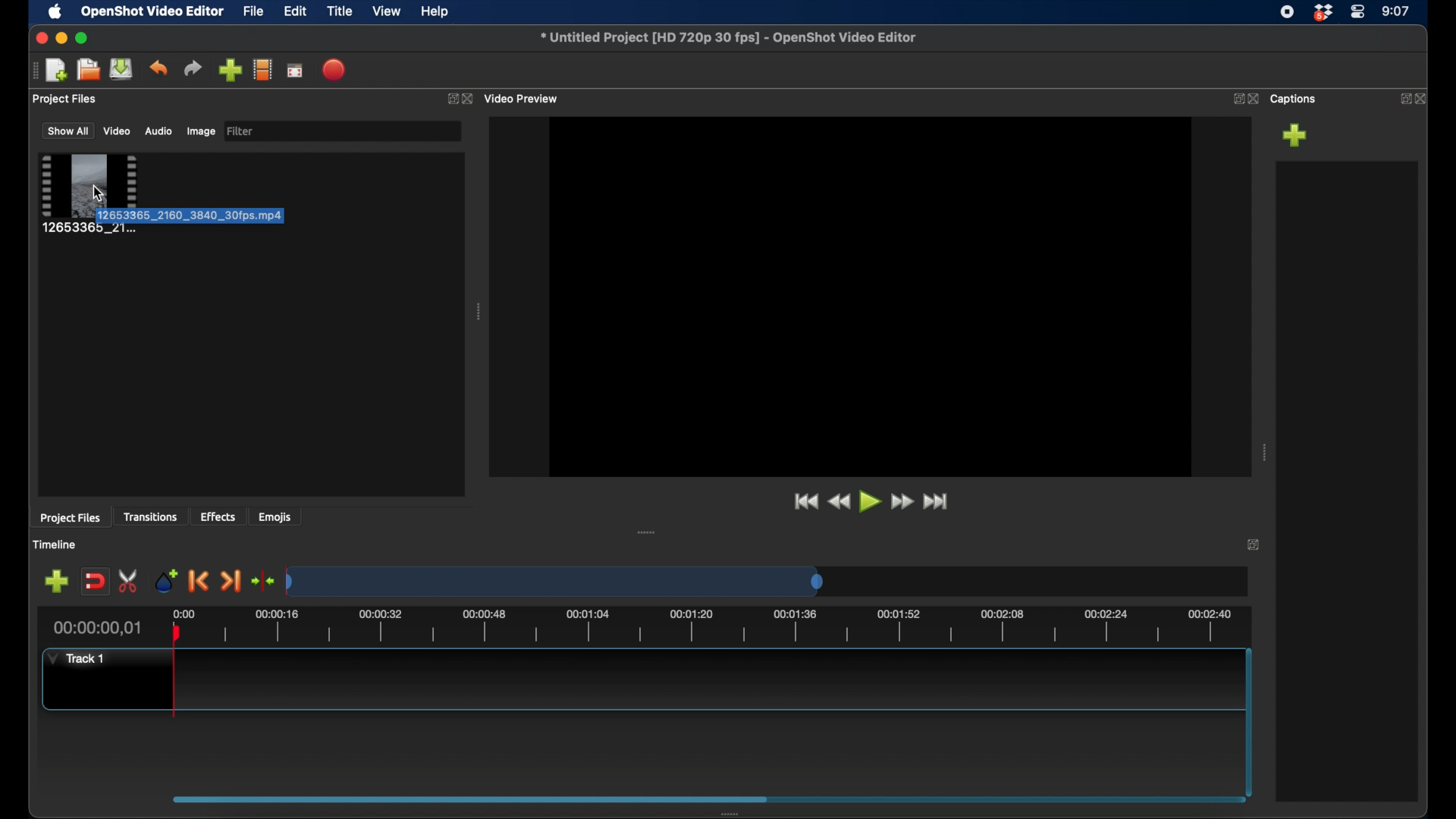  Describe the element at coordinates (30, 71) in the screenshot. I see `drag handle` at that location.